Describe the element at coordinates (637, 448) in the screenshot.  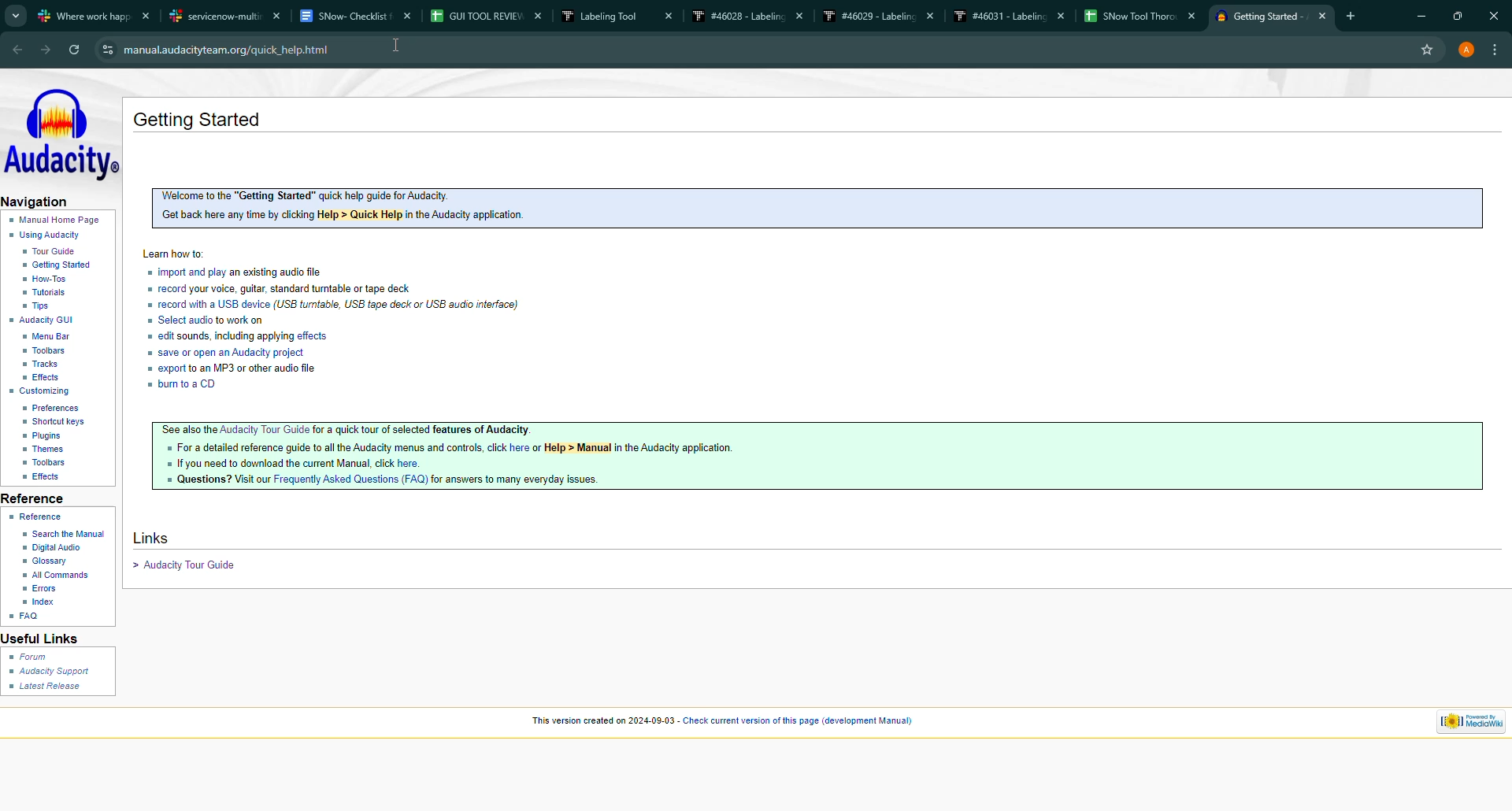
I see `or Help > Manual in the Audacity application.` at that location.